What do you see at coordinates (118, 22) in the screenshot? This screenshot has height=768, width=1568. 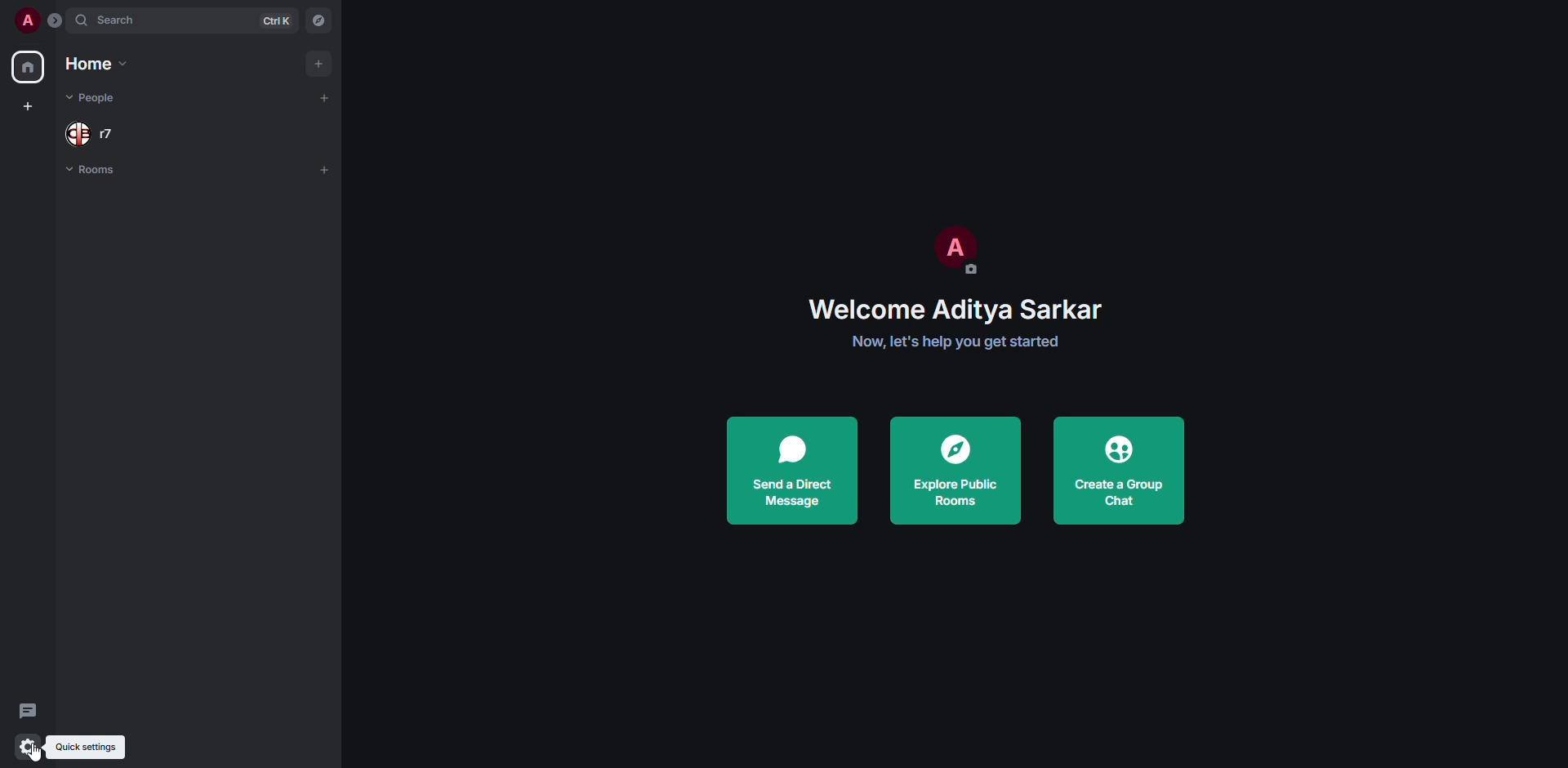 I see `search` at bounding box center [118, 22].